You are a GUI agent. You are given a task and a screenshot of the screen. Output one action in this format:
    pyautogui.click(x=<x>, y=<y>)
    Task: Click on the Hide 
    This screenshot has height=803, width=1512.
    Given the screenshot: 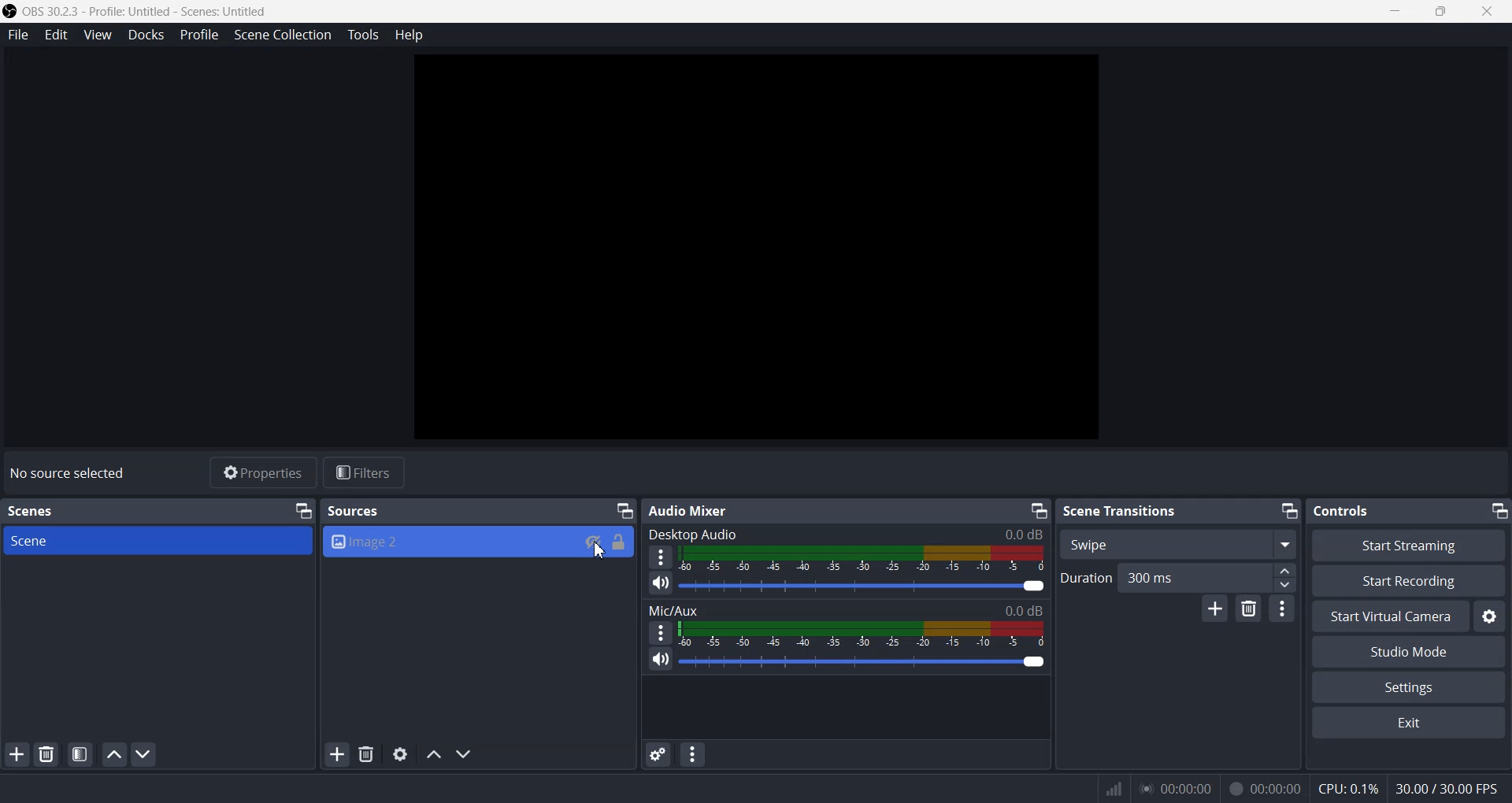 What is the action you would take?
    pyautogui.click(x=586, y=538)
    